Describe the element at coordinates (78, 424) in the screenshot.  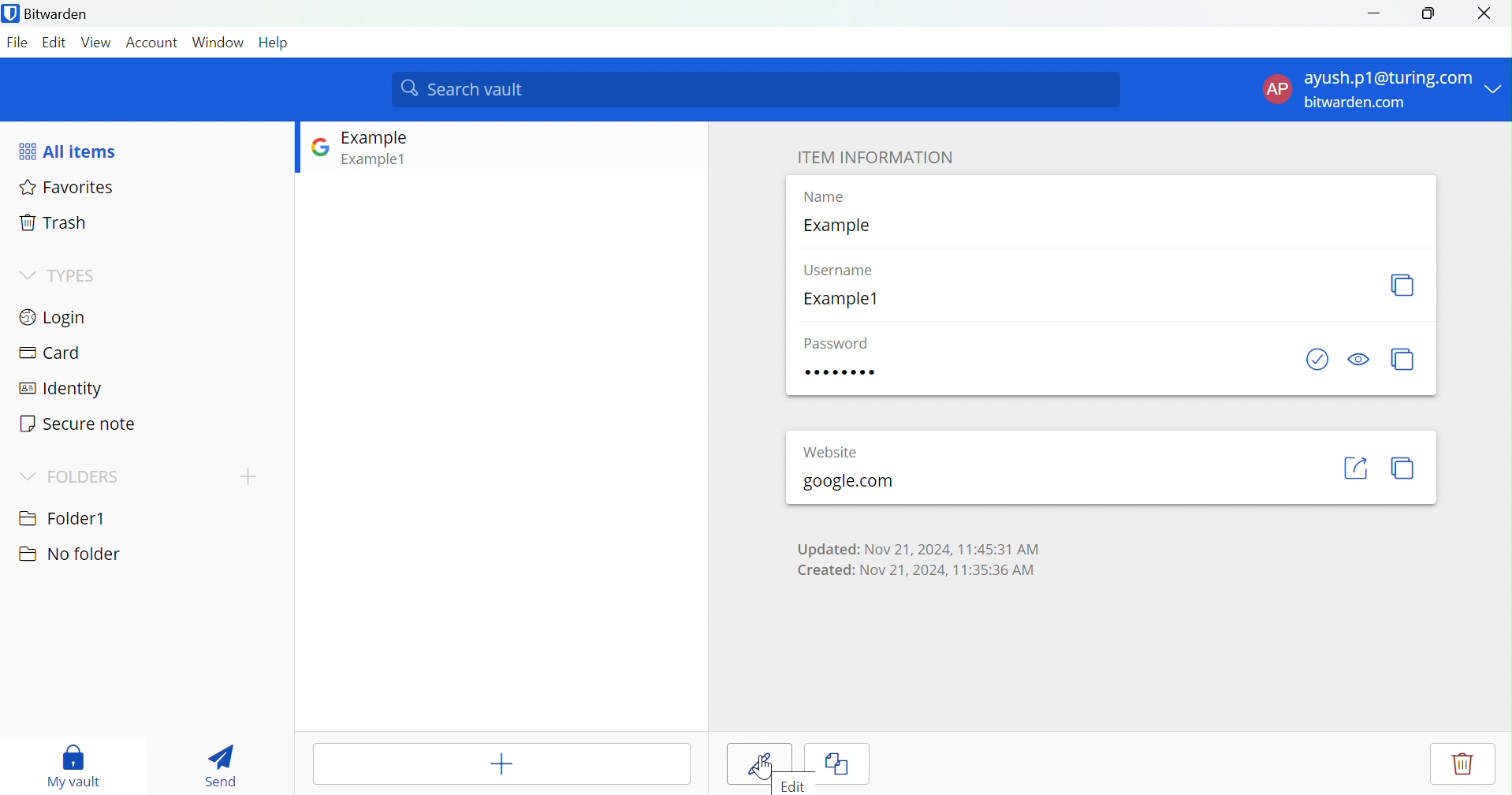
I see `Secure note` at that location.